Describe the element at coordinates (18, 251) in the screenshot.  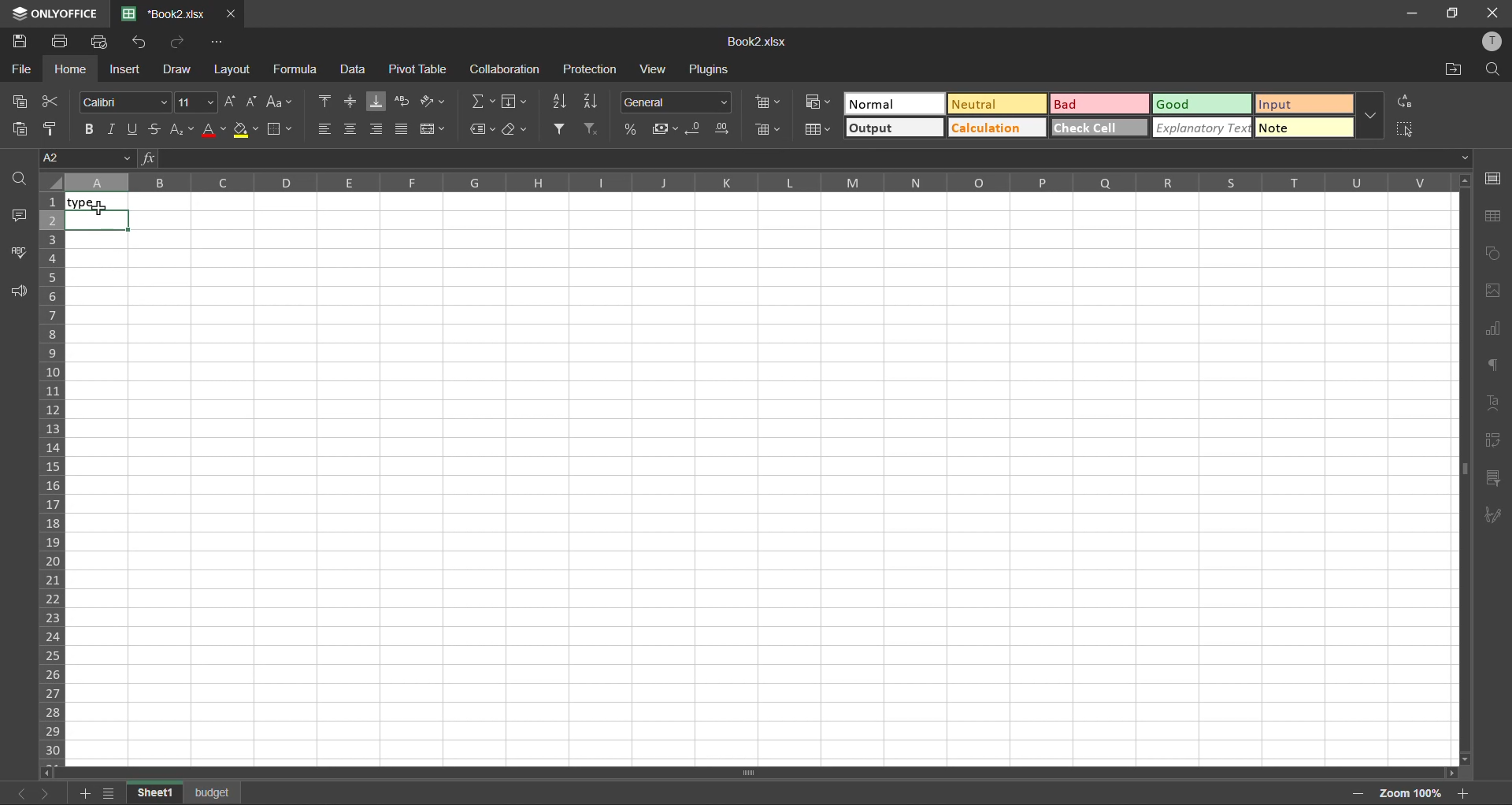
I see `spellcheck` at that location.